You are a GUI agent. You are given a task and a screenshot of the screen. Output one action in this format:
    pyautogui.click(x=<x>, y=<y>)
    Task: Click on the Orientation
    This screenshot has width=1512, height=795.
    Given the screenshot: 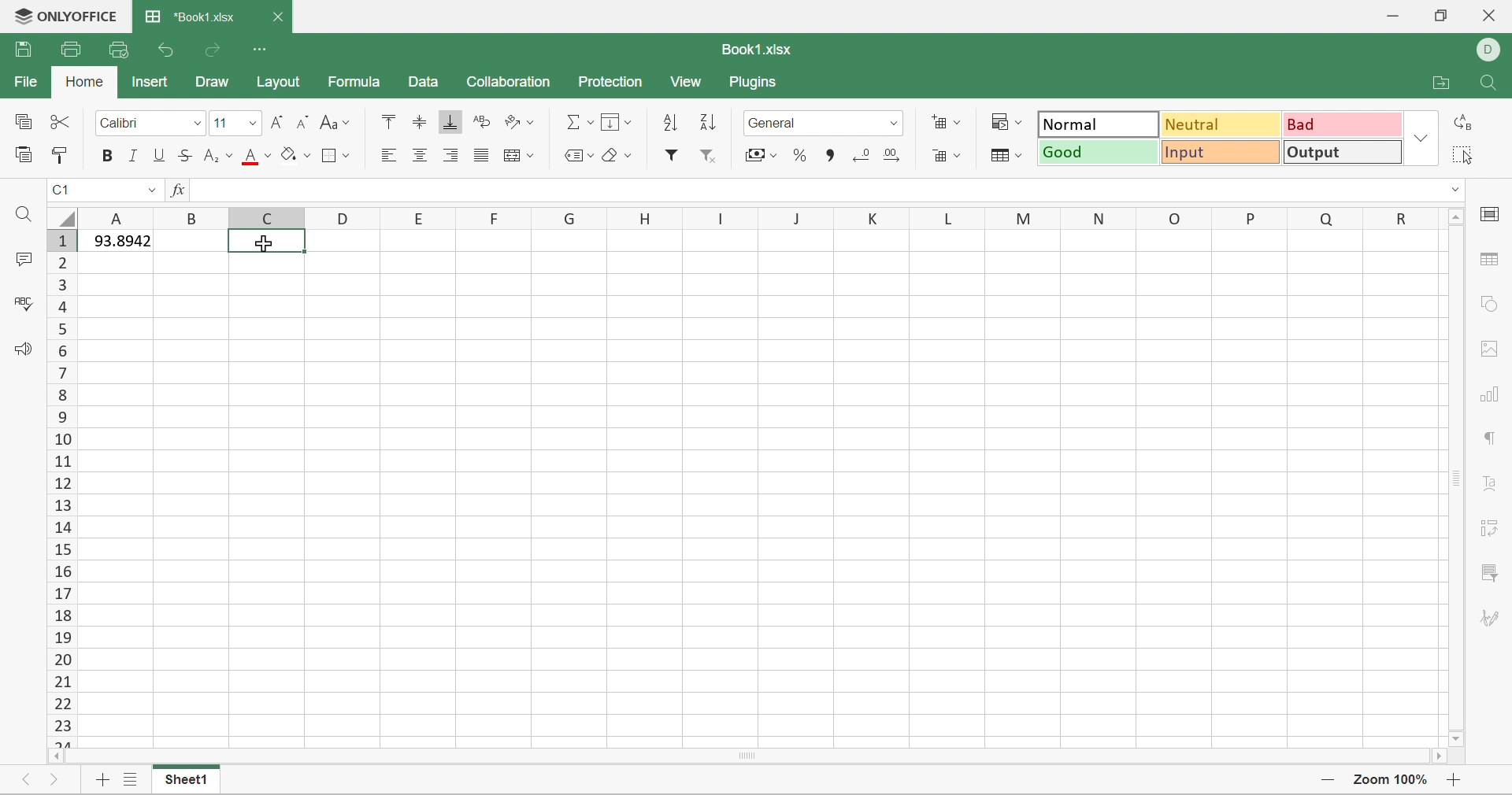 What is the action you would take?
    pyautogui.click(x=515, y=122)
    